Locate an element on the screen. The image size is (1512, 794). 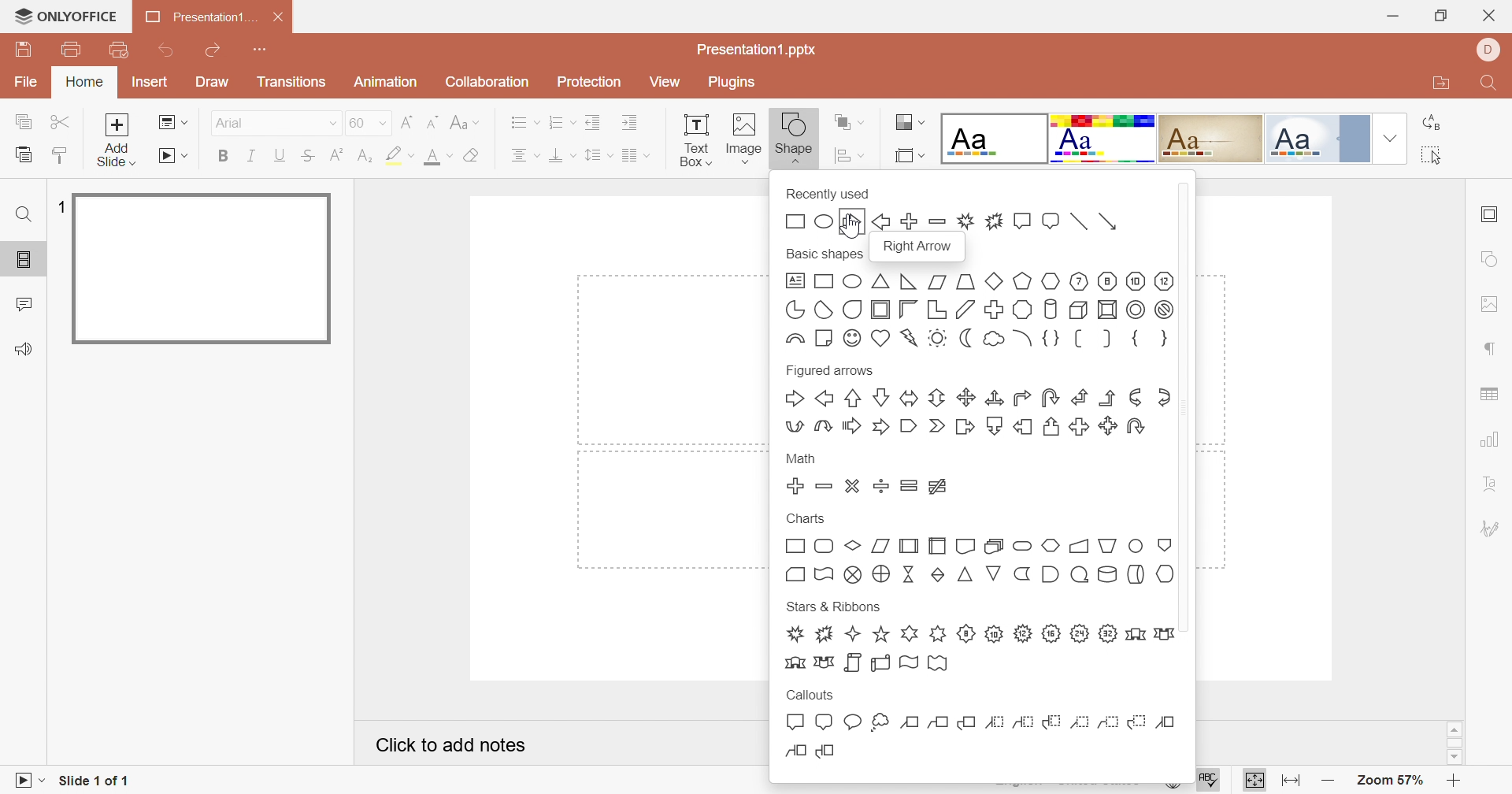
Insert columns is located at coordinates (636, 156).